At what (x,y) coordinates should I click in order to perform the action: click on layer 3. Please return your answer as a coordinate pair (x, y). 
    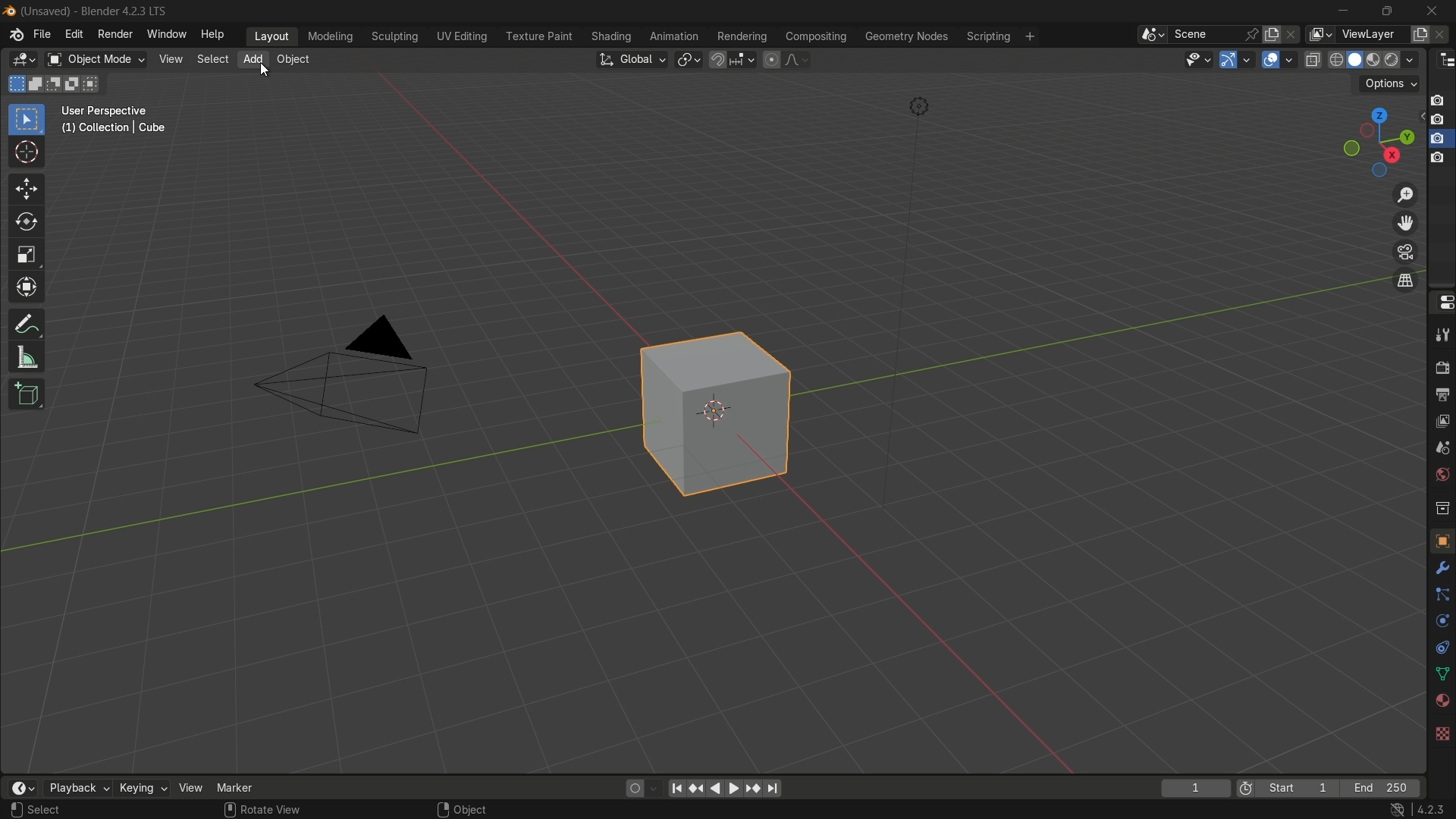
    Looking at the image, I should click on (1437, 139).